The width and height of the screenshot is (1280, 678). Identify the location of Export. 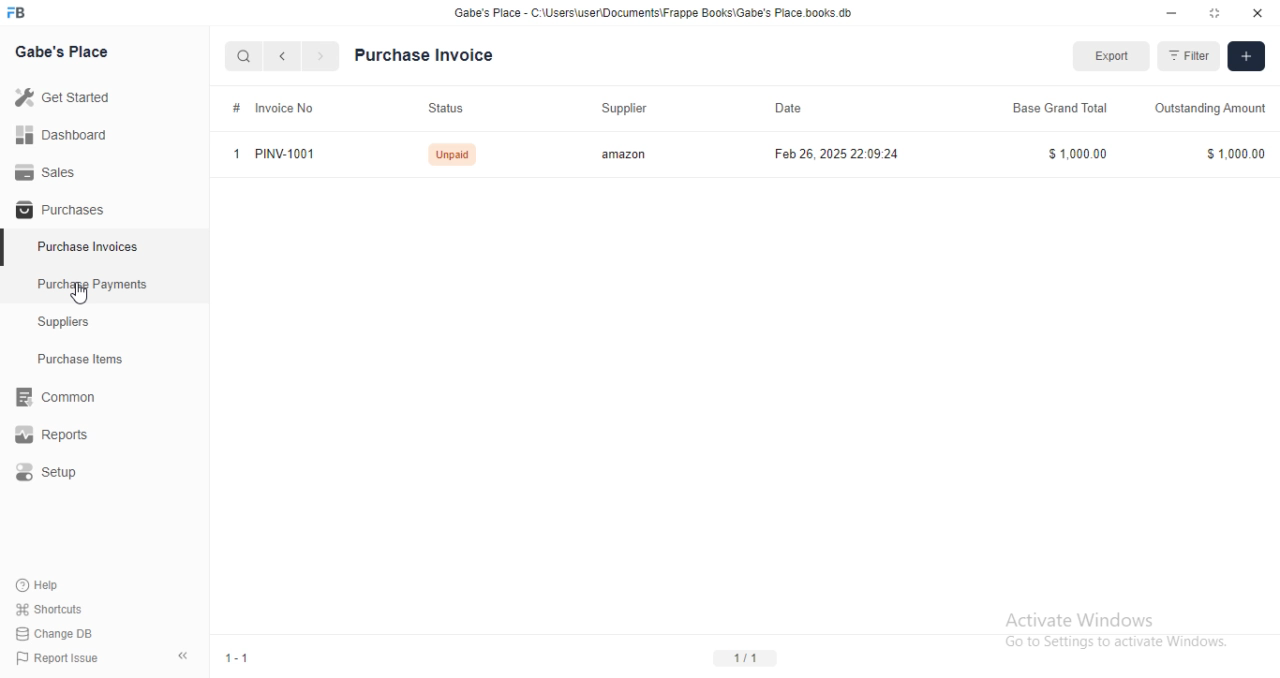
(1112, 56).